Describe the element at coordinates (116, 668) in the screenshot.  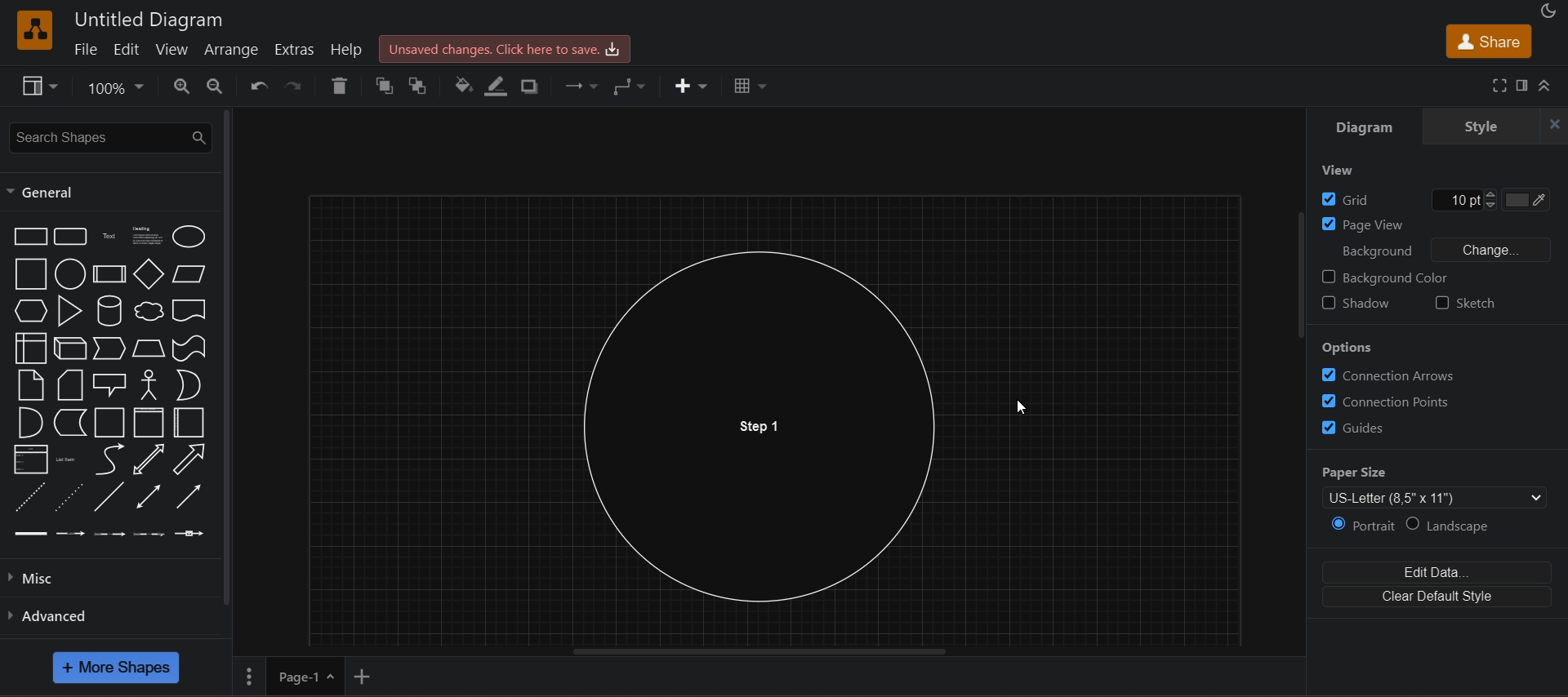
I see `more shapes` at that location.